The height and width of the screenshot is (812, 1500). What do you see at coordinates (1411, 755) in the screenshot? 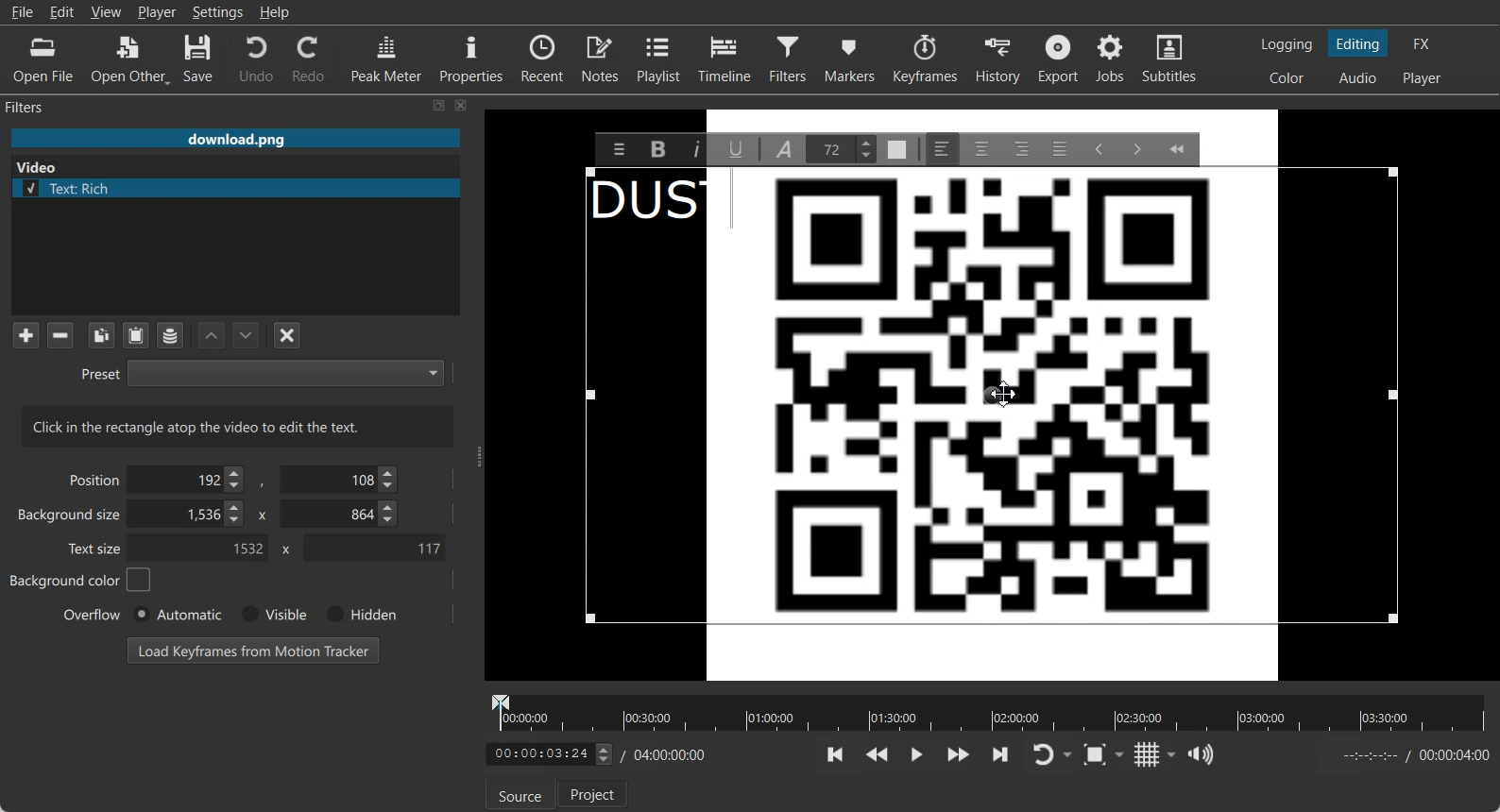
I see `End time ` at bounding box center [1411, 755].